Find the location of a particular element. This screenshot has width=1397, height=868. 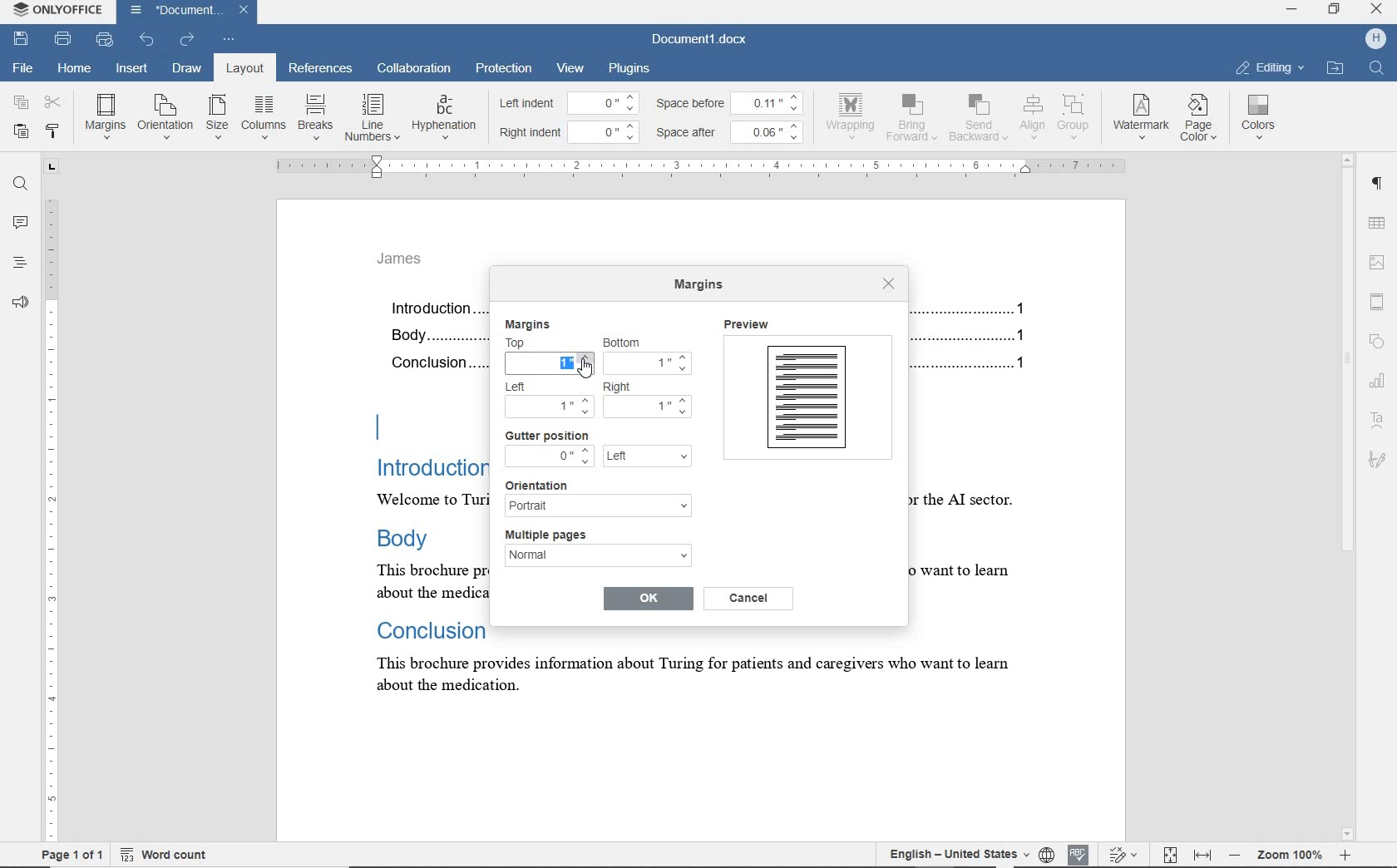

EDITING is located at coordinates (1270, 67).